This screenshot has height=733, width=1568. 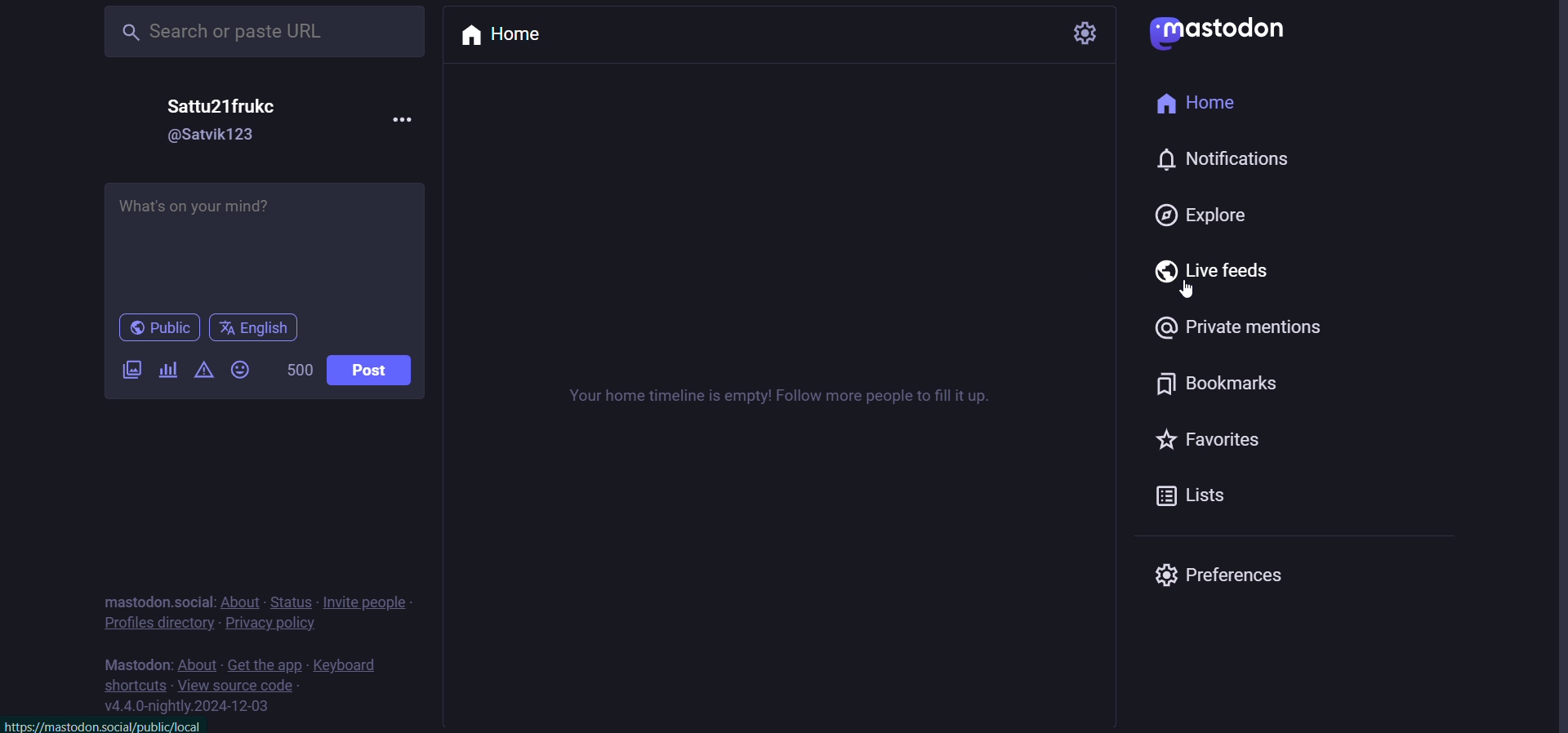 What do you see at coordinates (1212, 28) in the screenshot?
I see `mastodon` at bounding box center [1212, 28].